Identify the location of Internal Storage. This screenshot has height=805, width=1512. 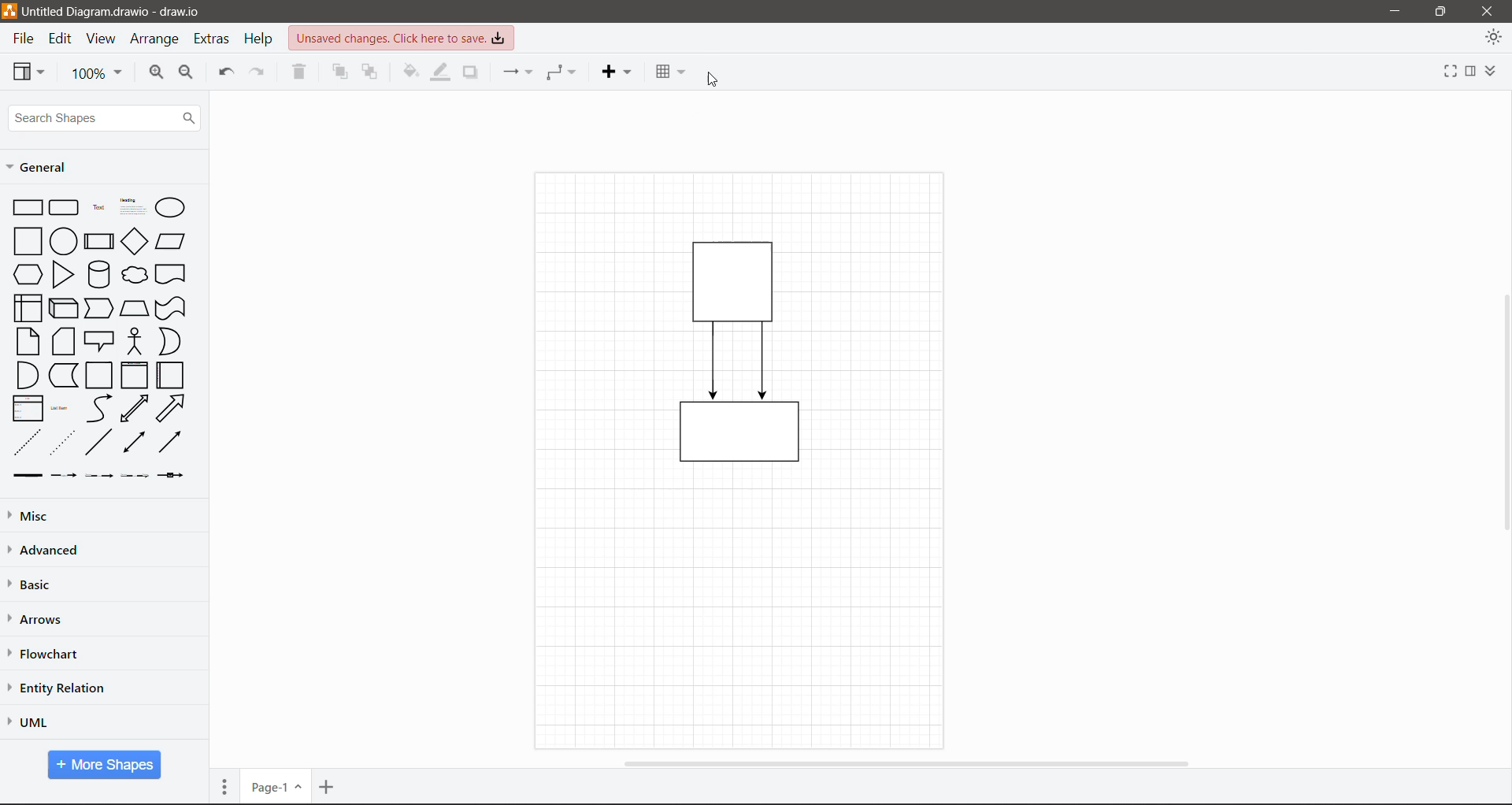
(26, 307).